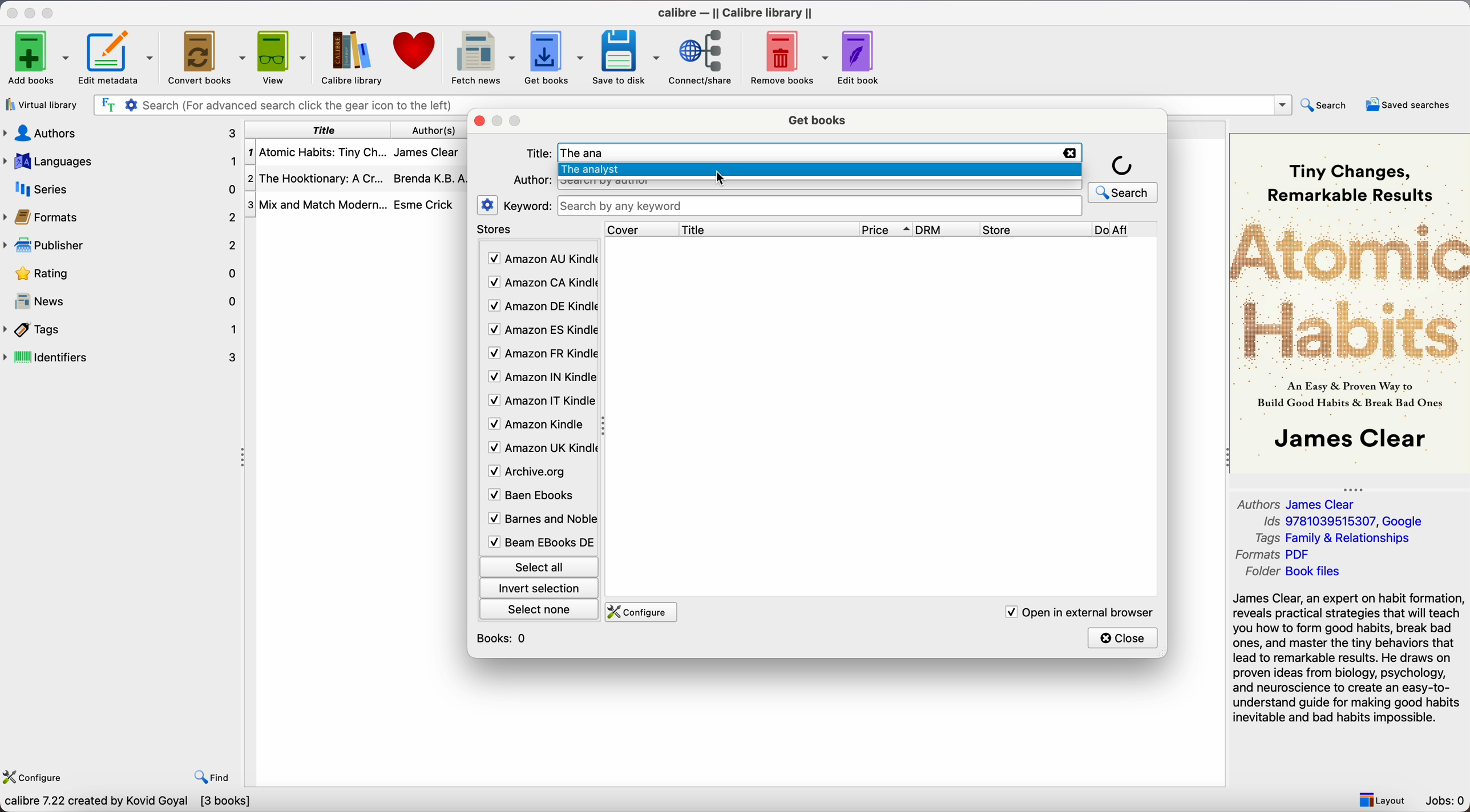  Describe the element at coordinates (734, 11) in the screenshot. I see `Calibre - || Calibre library ||` at that location.